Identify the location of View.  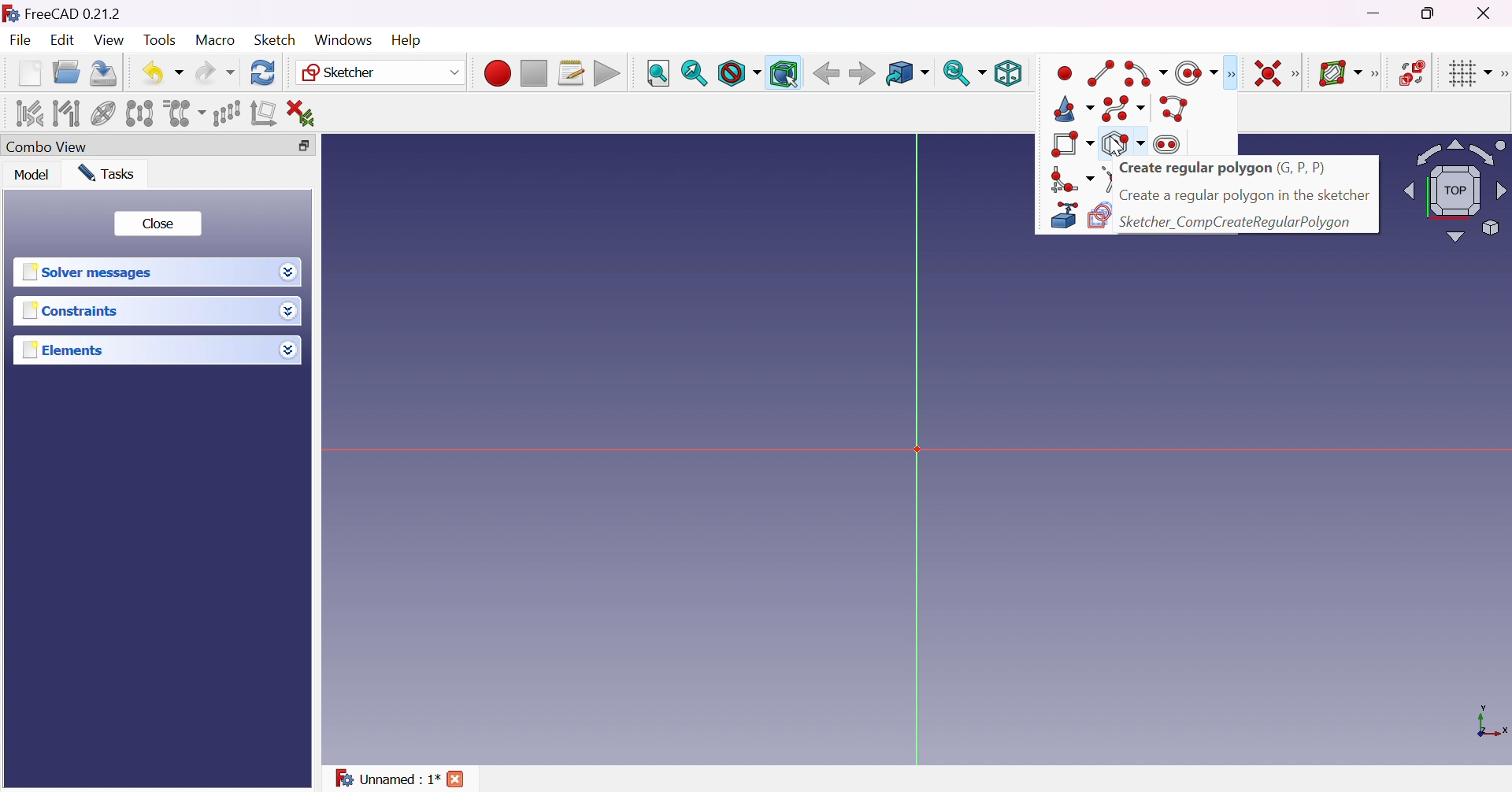
(109, 40).